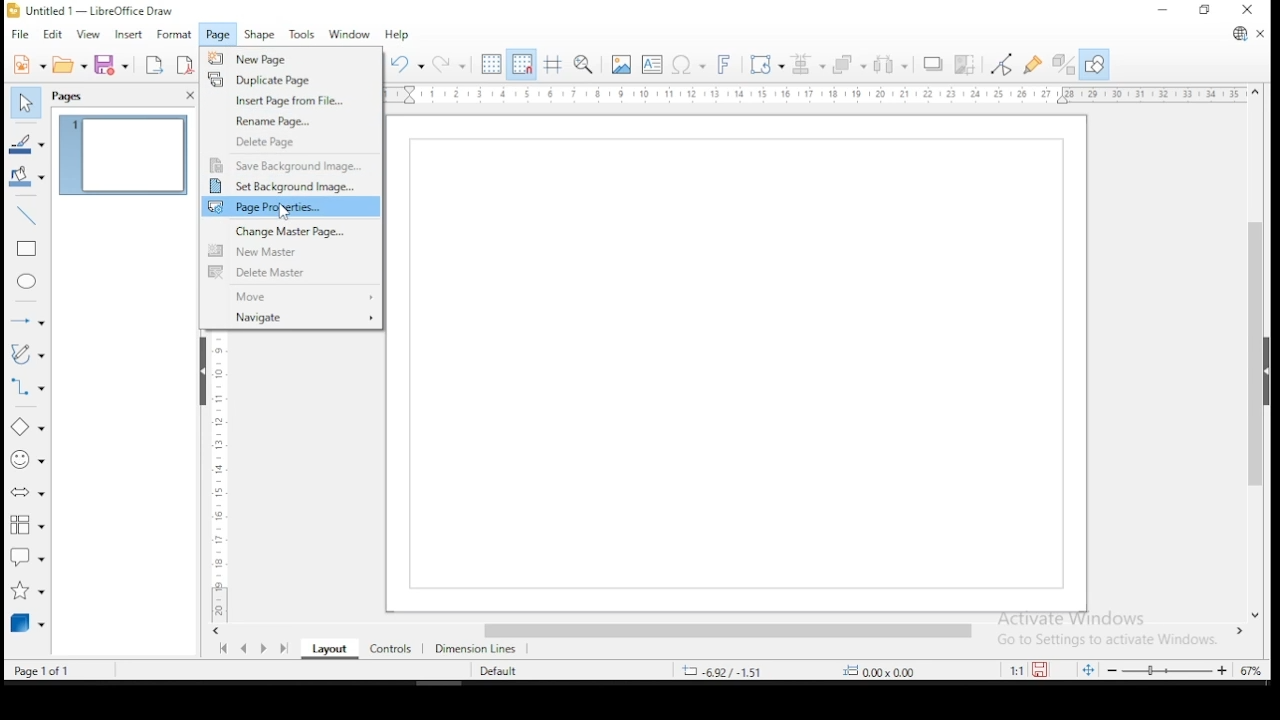 The height and width of the screenshot is (720, 1280). What do you see at coordinates (55, 35) in the screenshot?
I see `edit` at bounding box center [55, 35].